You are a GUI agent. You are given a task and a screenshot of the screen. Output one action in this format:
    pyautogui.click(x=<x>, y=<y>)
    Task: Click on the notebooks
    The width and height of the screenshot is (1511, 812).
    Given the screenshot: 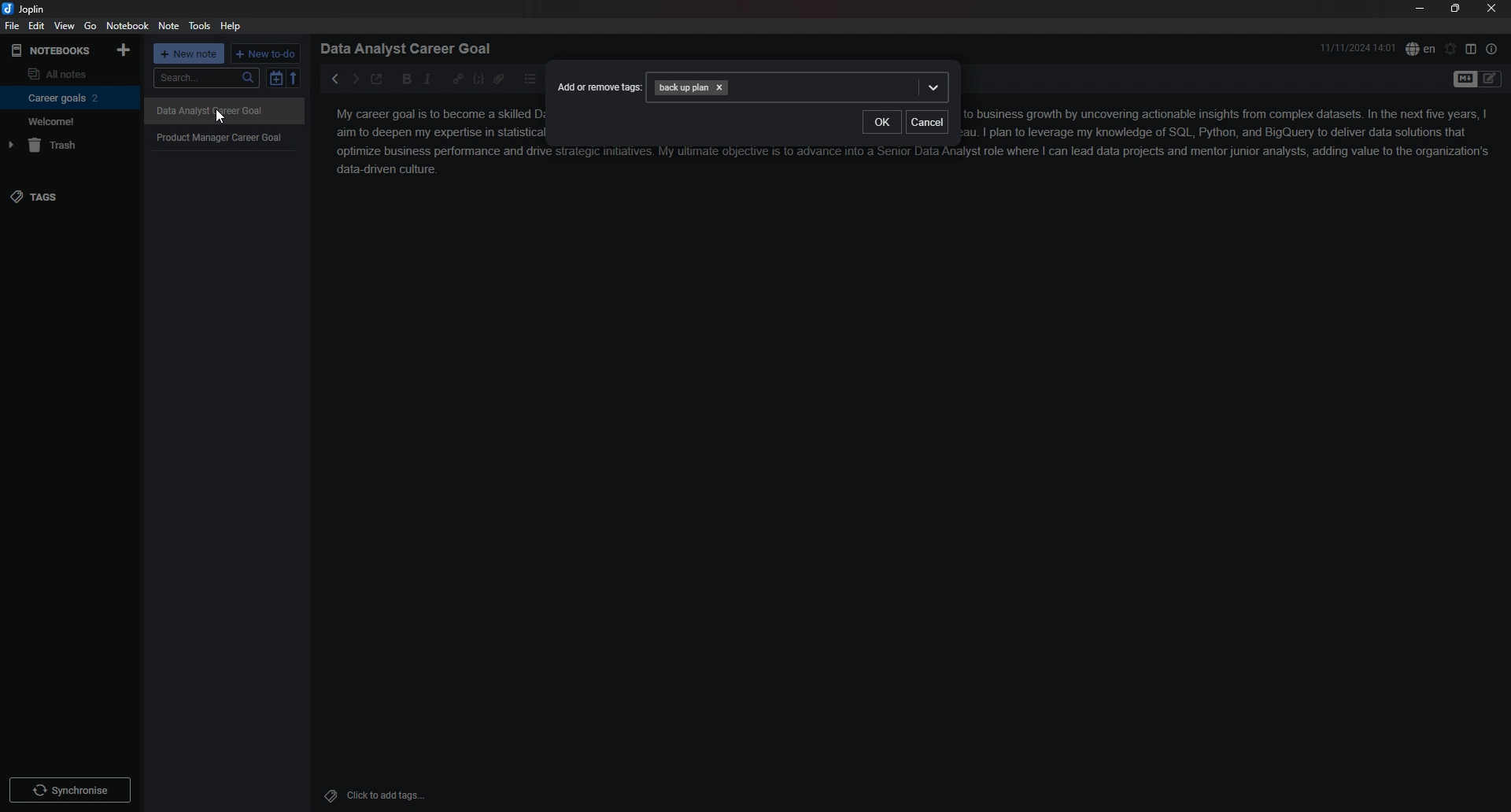 What is the action you would take?
    pyautogui.click(x=53, y=51)
    